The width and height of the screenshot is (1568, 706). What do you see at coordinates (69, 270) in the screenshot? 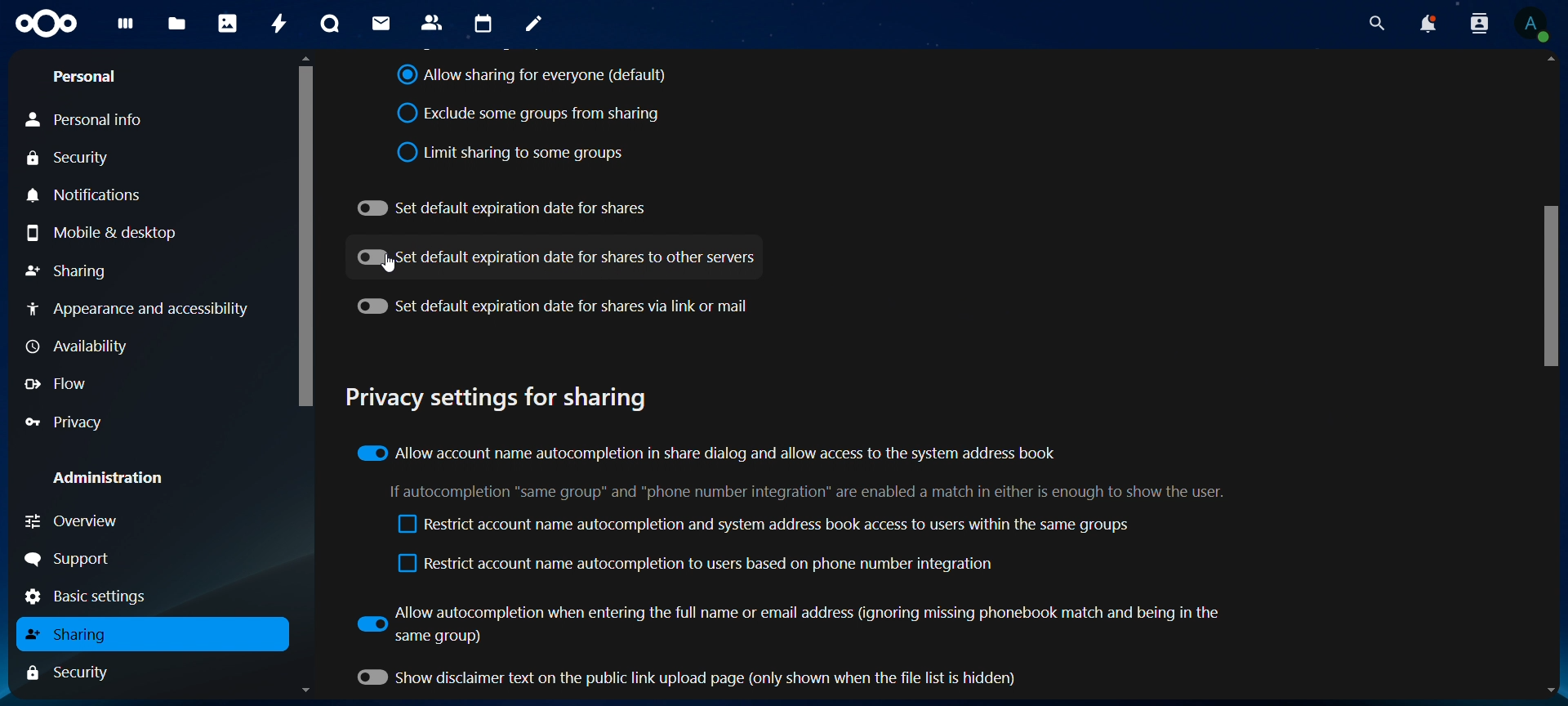
I see `sharing` at bounding box center [69, 270].